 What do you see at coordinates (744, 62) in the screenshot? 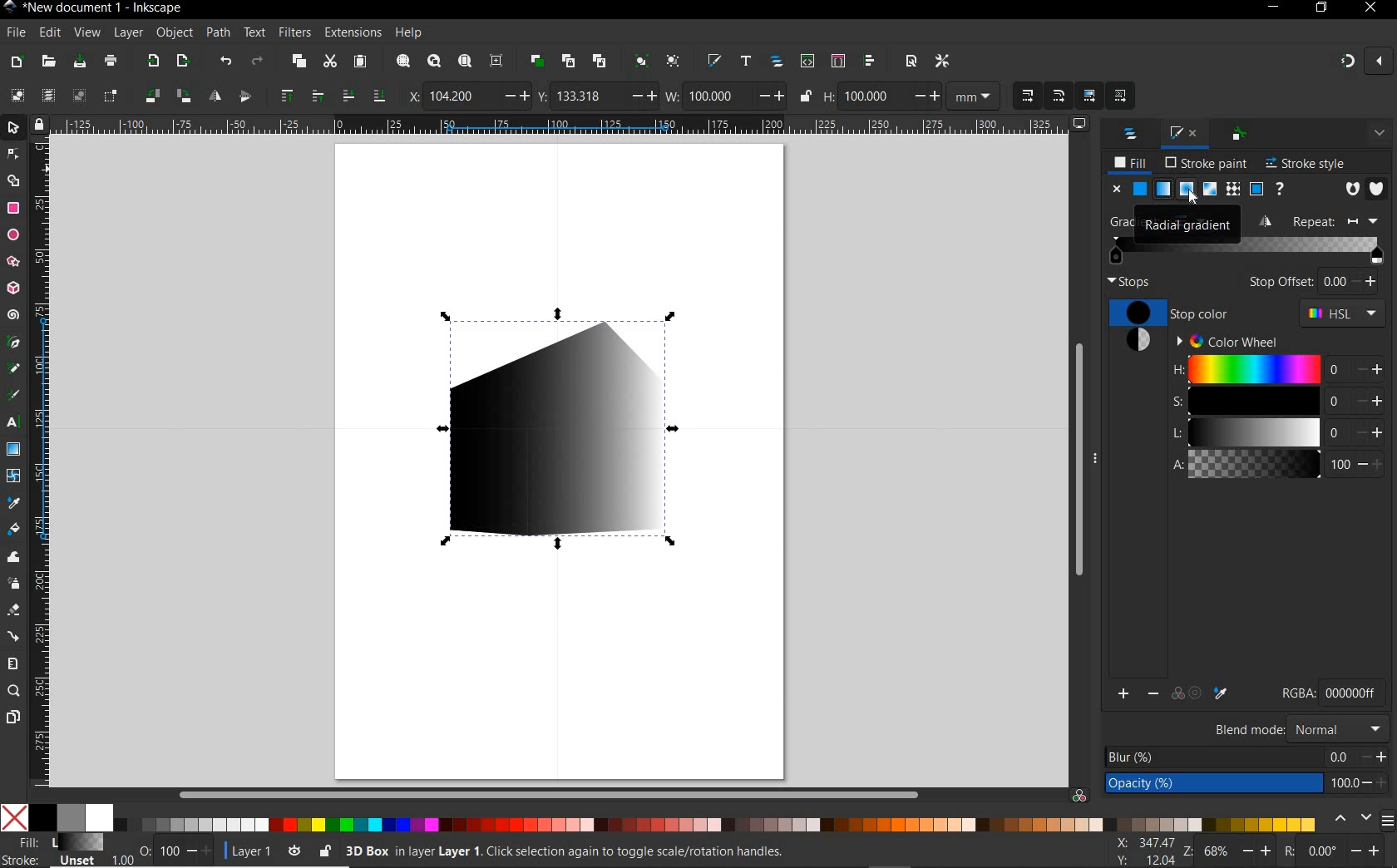
I see `OPEN TEXT` at bounding box center [744, 62].